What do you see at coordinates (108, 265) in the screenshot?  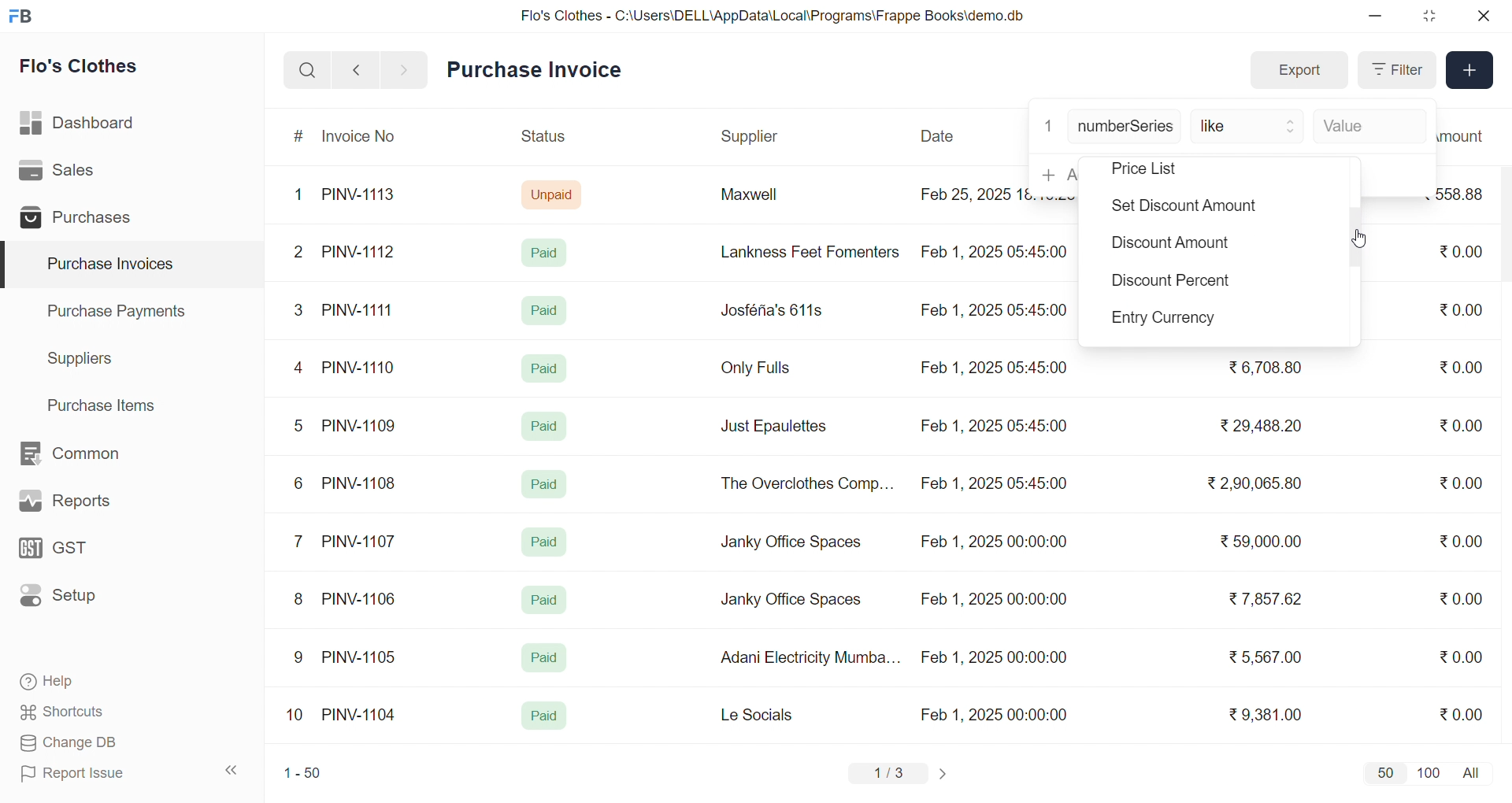 I see `Purchase Invoices` at bounding box center [108, 265].